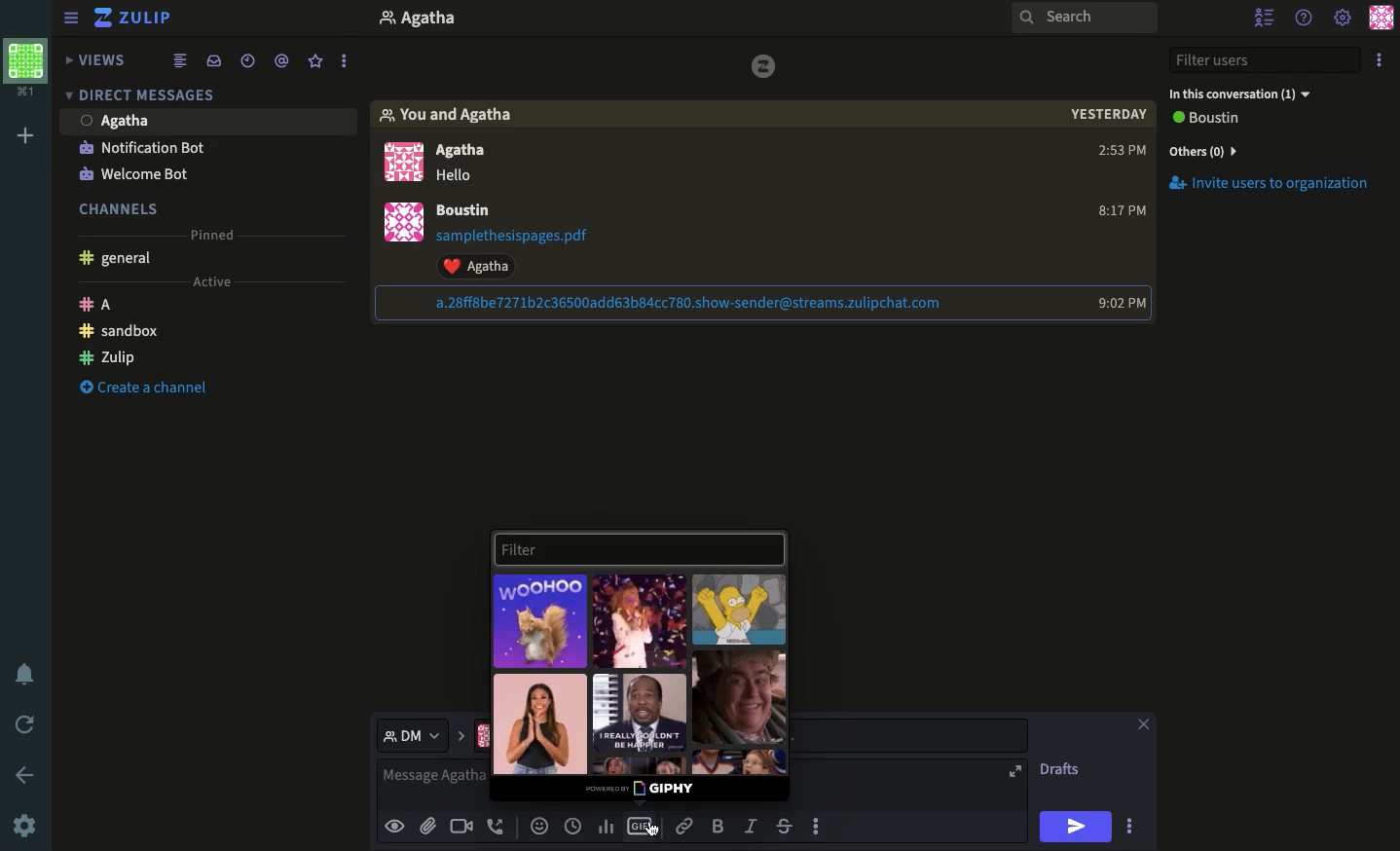 This screenshot has height=851, width=1400. What do you see at coordinates (573, 825) in the screenshot?
I see `Global time` at bounding box center [573, 825].